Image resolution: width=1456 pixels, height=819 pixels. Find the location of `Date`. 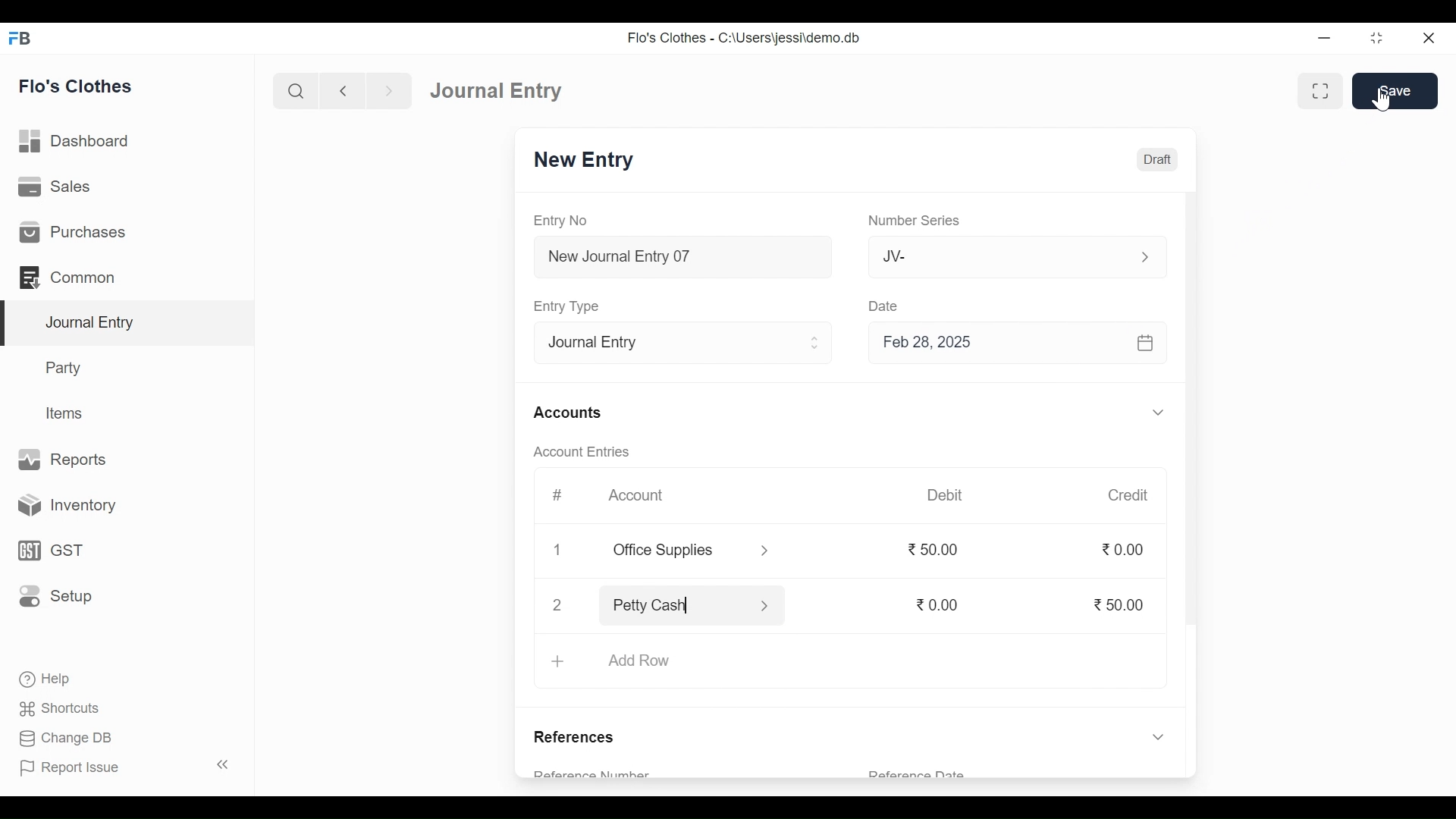

Date is located at coordinates (888, 307).